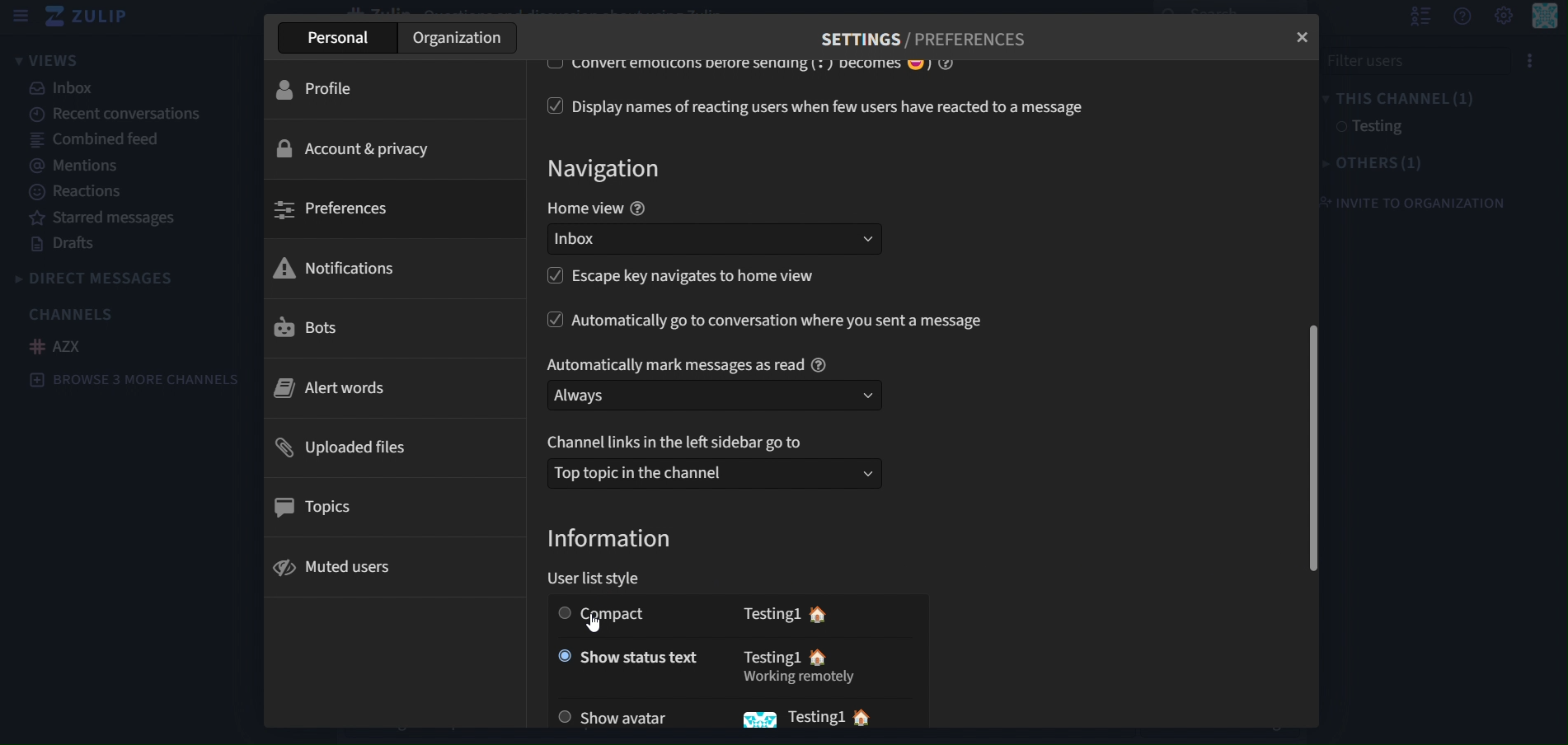  Describe the element at coordinates (800, 680) in the screenshot. I see `Working remotely` at that location.